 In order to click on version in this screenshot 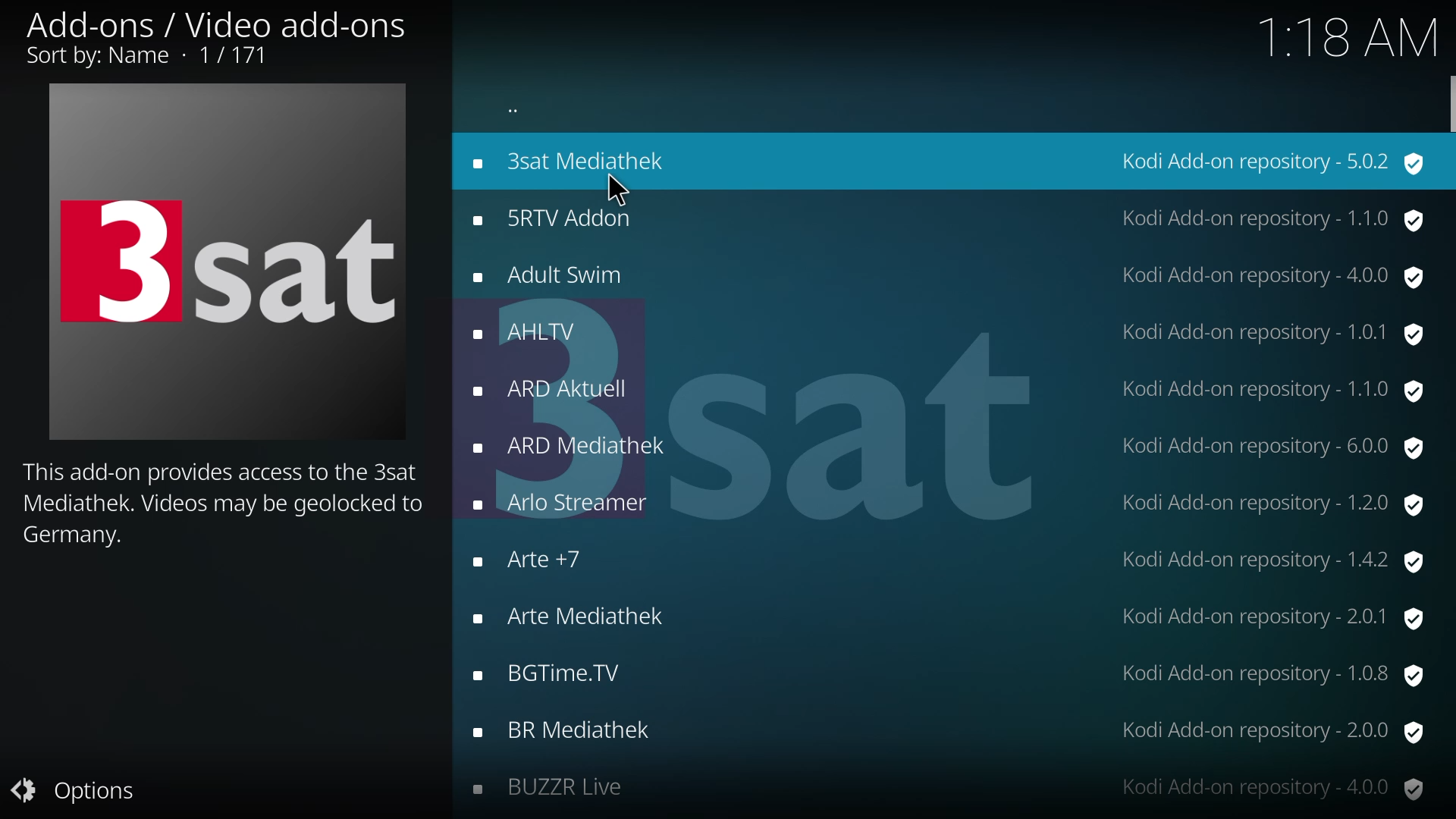, I will do `click(1269, 617)`.